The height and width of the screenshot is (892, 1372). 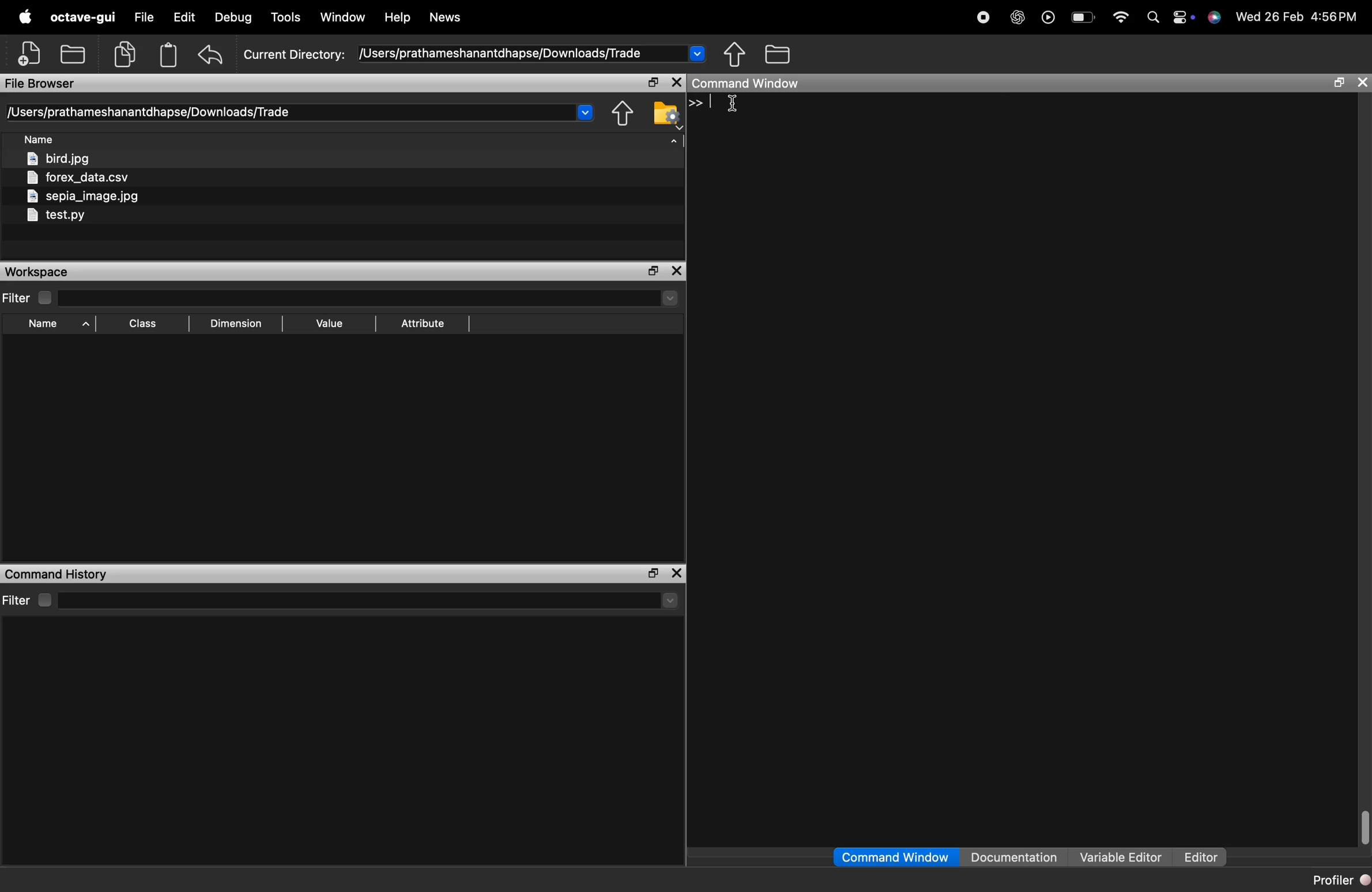 I want to click on open folder , so click(x=73, y=55).